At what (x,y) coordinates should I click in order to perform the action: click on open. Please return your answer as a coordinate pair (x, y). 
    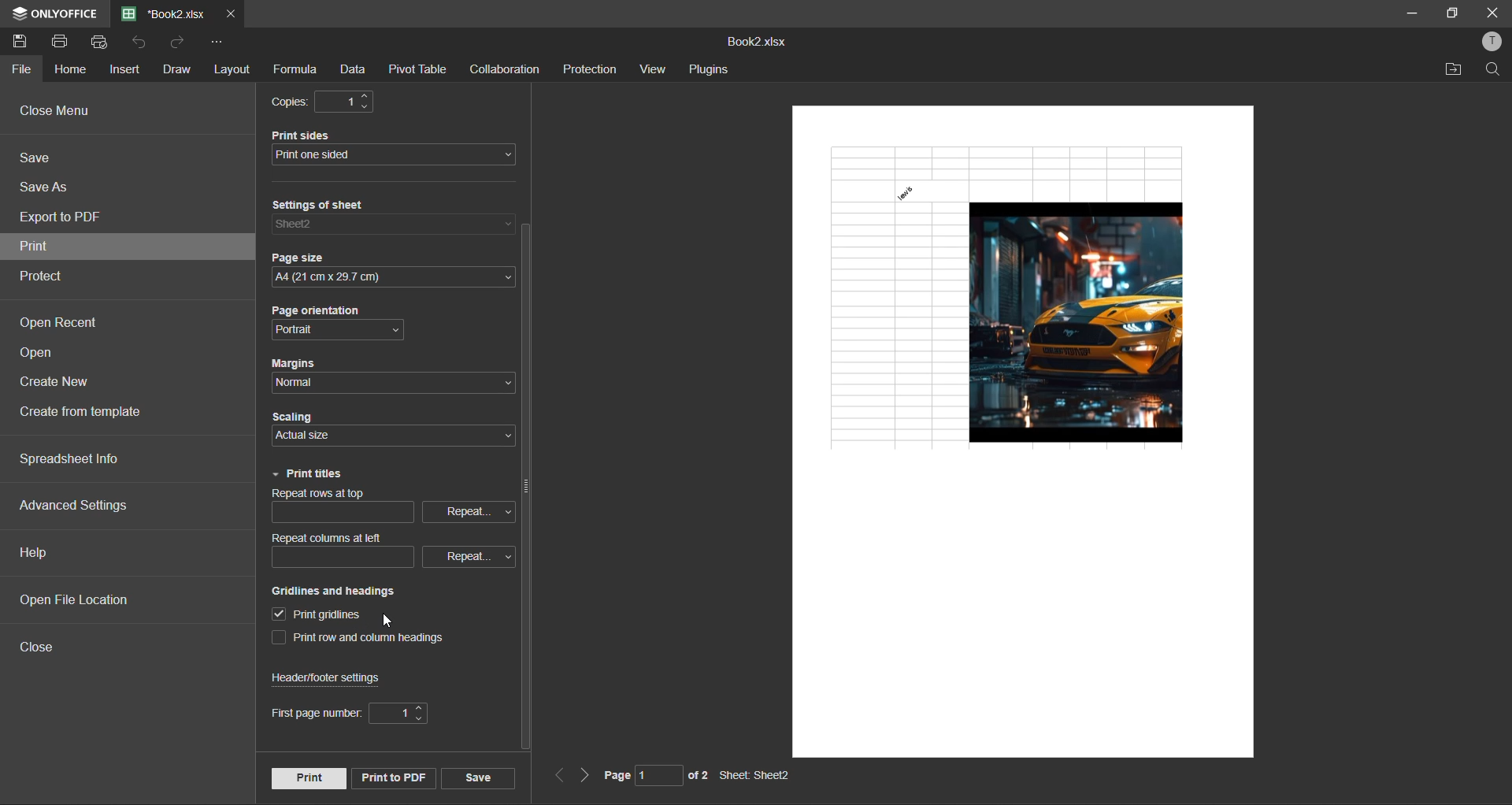
    Looking at the image, I should click on (42, 354).